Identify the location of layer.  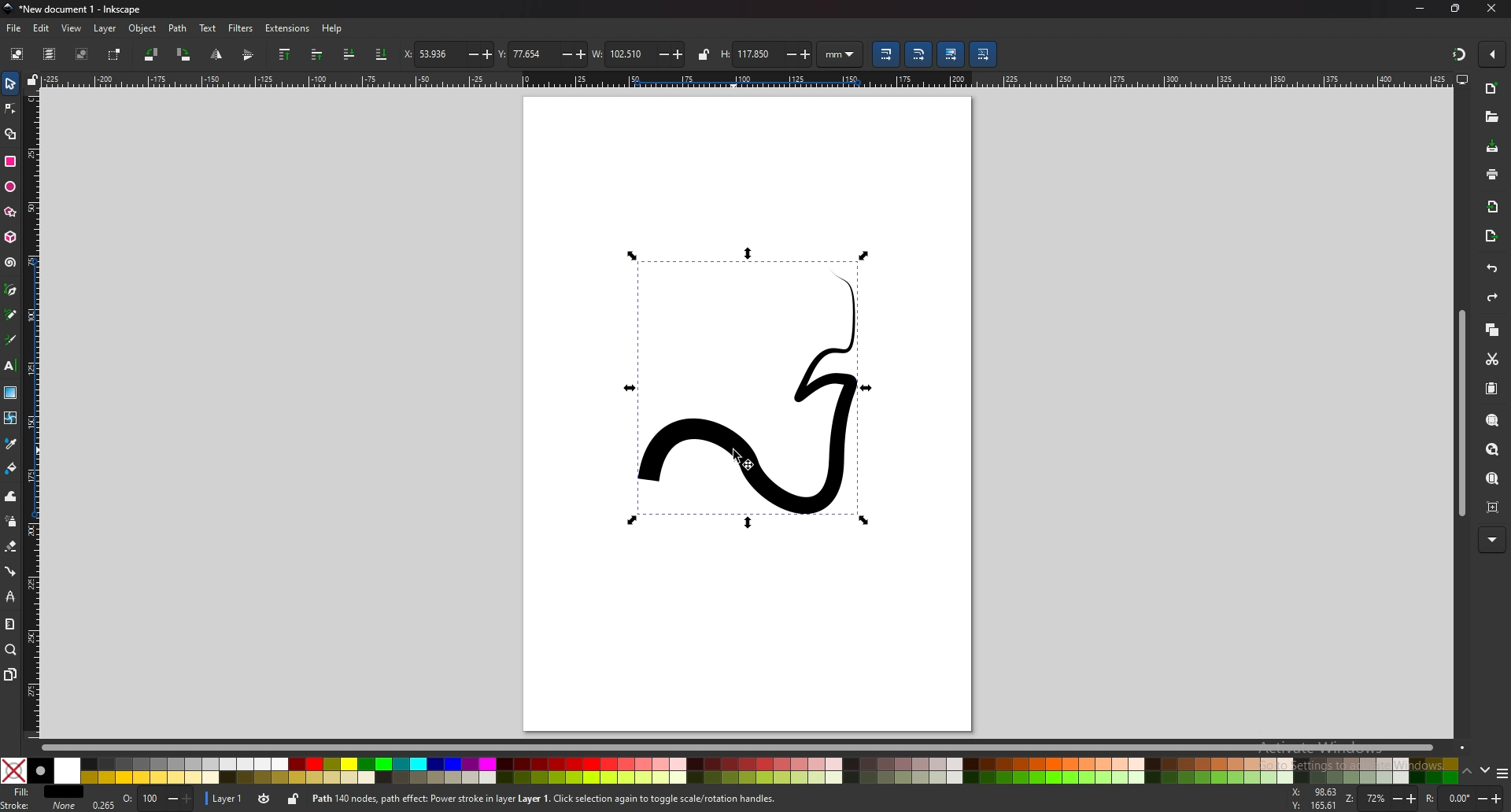
(225, 798).